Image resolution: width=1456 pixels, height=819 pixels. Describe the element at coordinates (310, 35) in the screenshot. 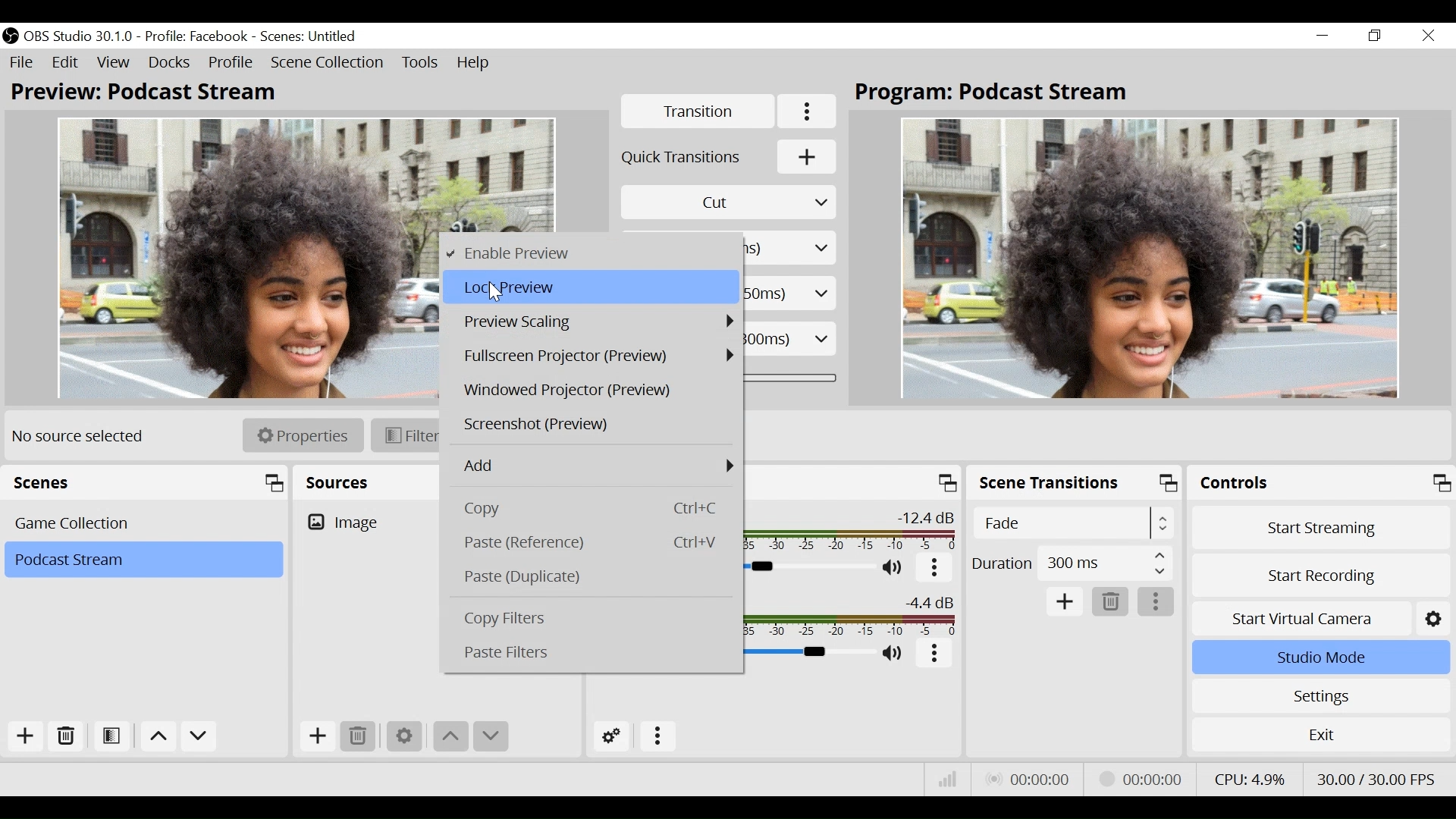

I see `Scene` at that location.